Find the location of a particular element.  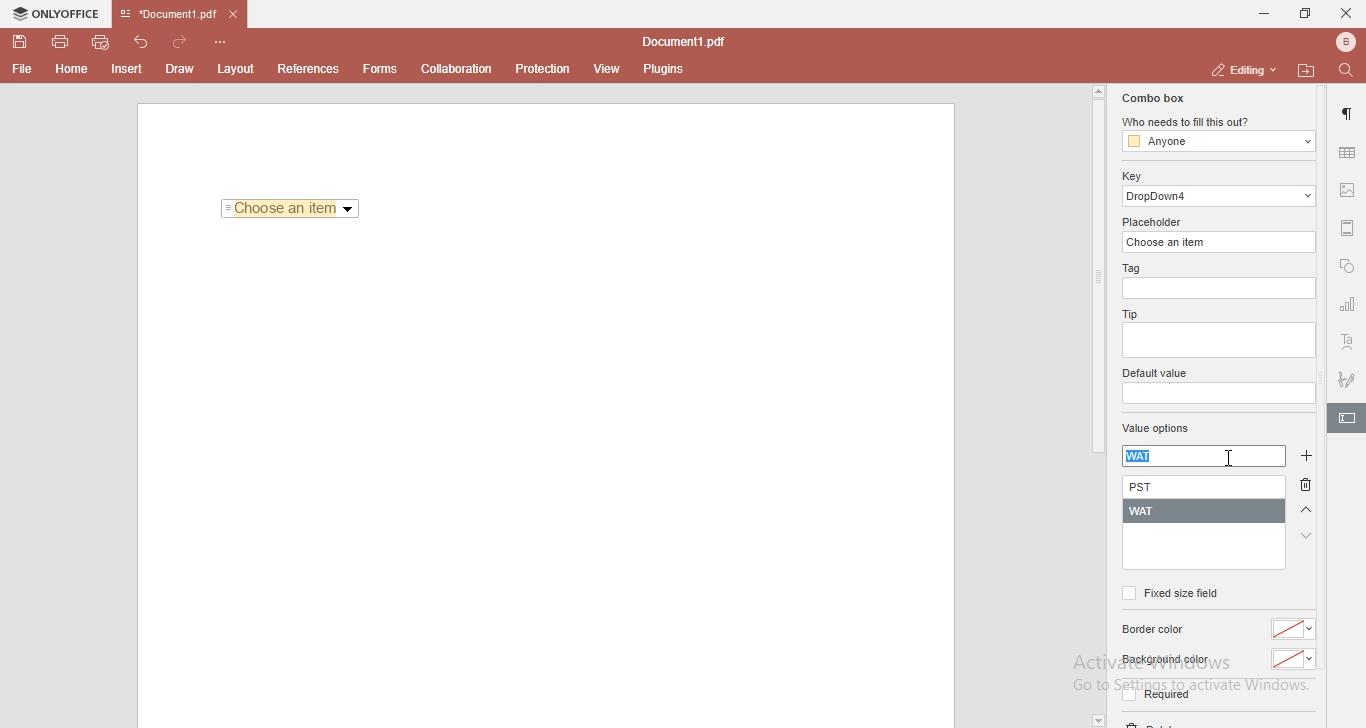

redo is located at coordinates (184, 38).